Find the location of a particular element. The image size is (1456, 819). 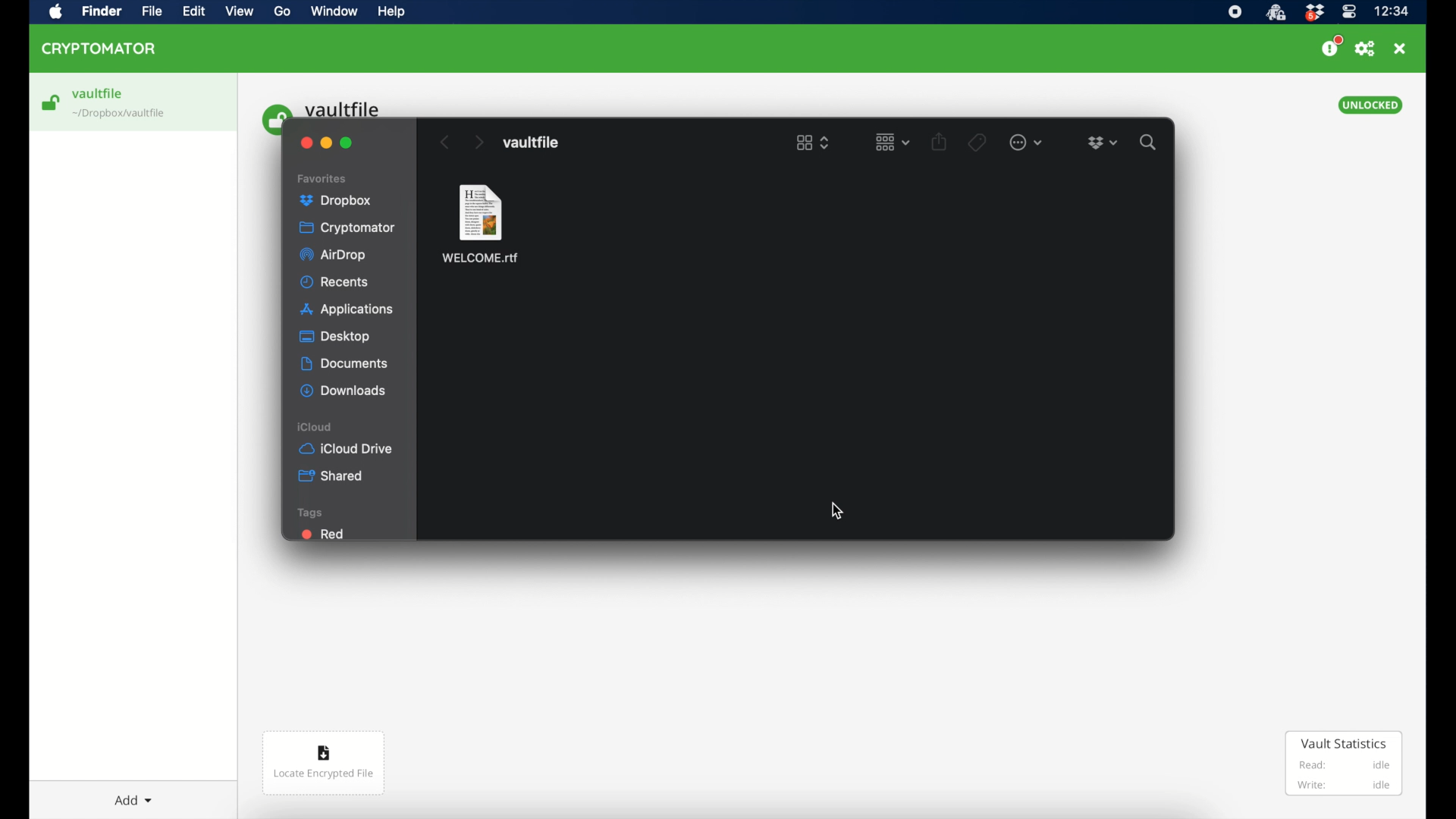

vault file is located at coordinates (532, 143).